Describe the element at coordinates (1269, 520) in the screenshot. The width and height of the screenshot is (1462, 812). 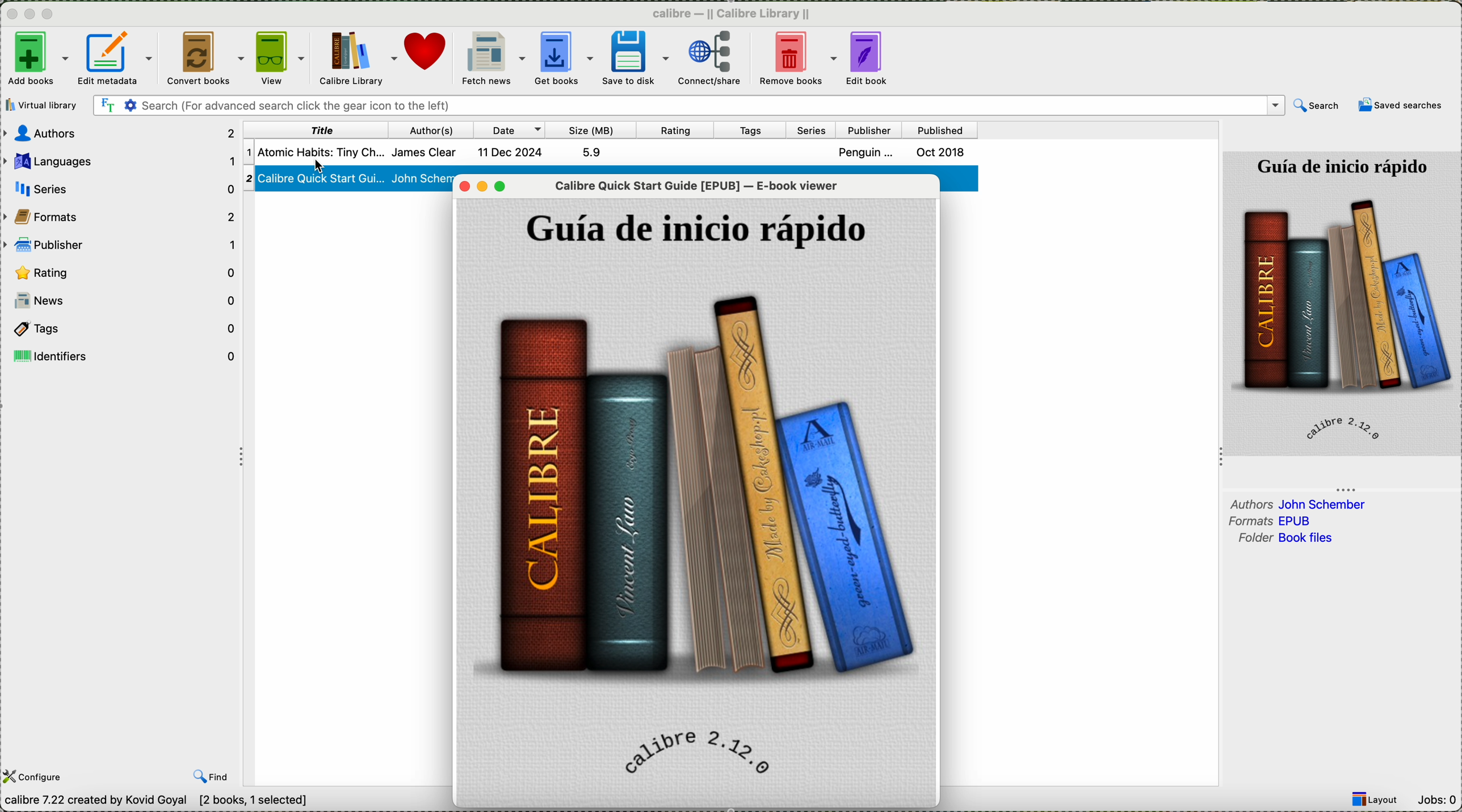
I see `formats epub` at that location.